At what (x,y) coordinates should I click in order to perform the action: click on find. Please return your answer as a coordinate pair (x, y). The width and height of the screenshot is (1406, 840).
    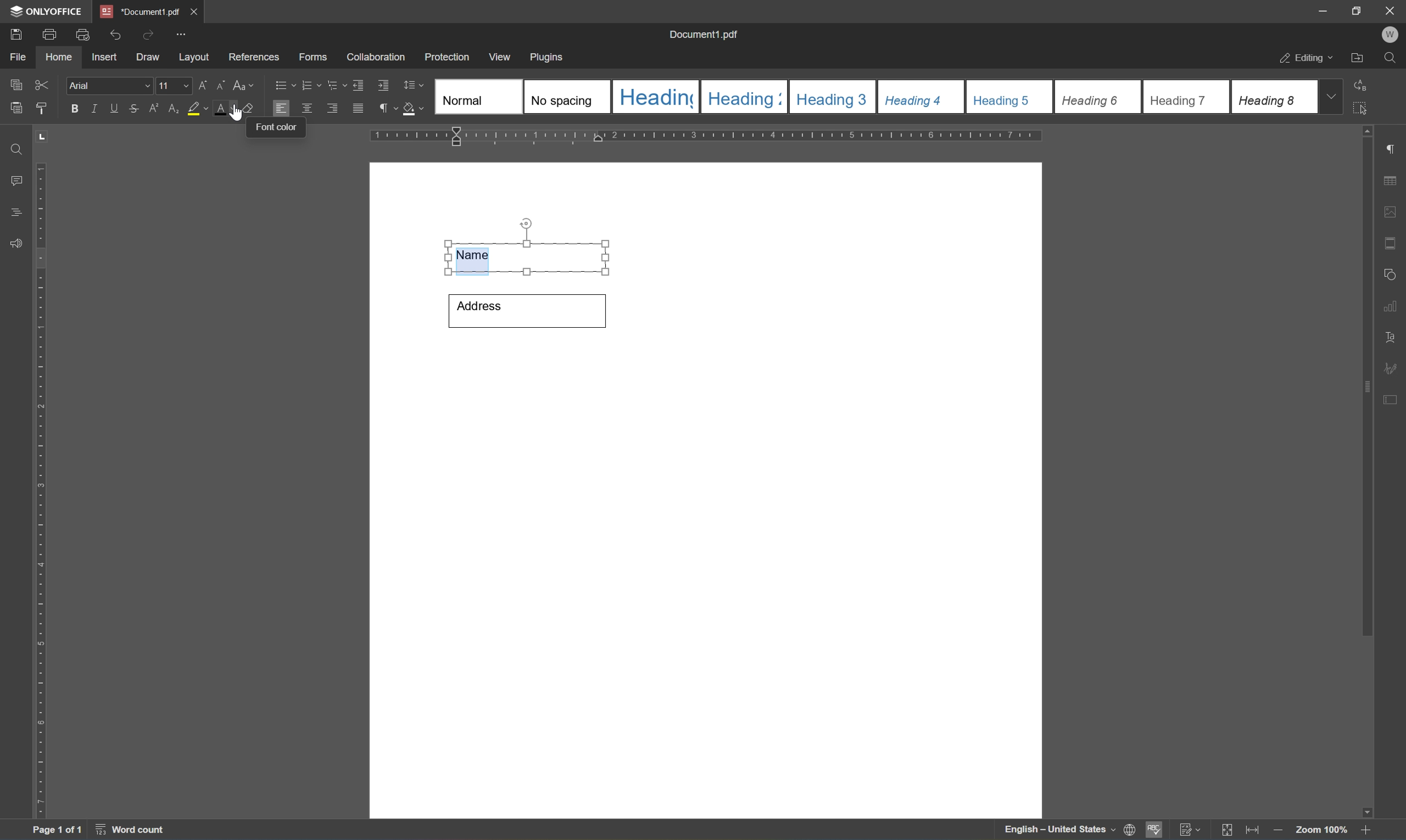
    Looking at the image, I should click on (12, 147).